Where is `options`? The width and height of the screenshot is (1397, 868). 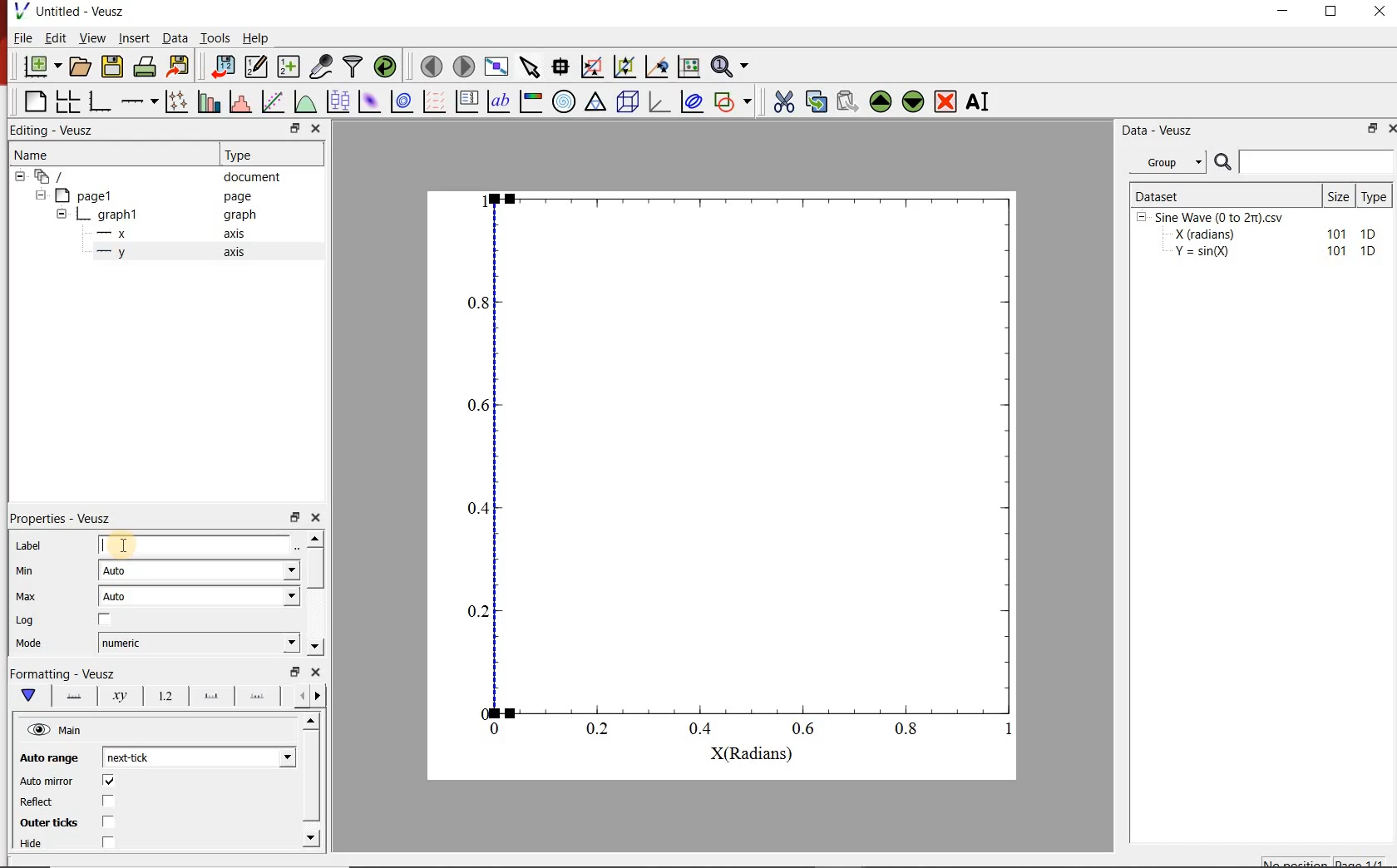 options is located at coordinates (208, 697).